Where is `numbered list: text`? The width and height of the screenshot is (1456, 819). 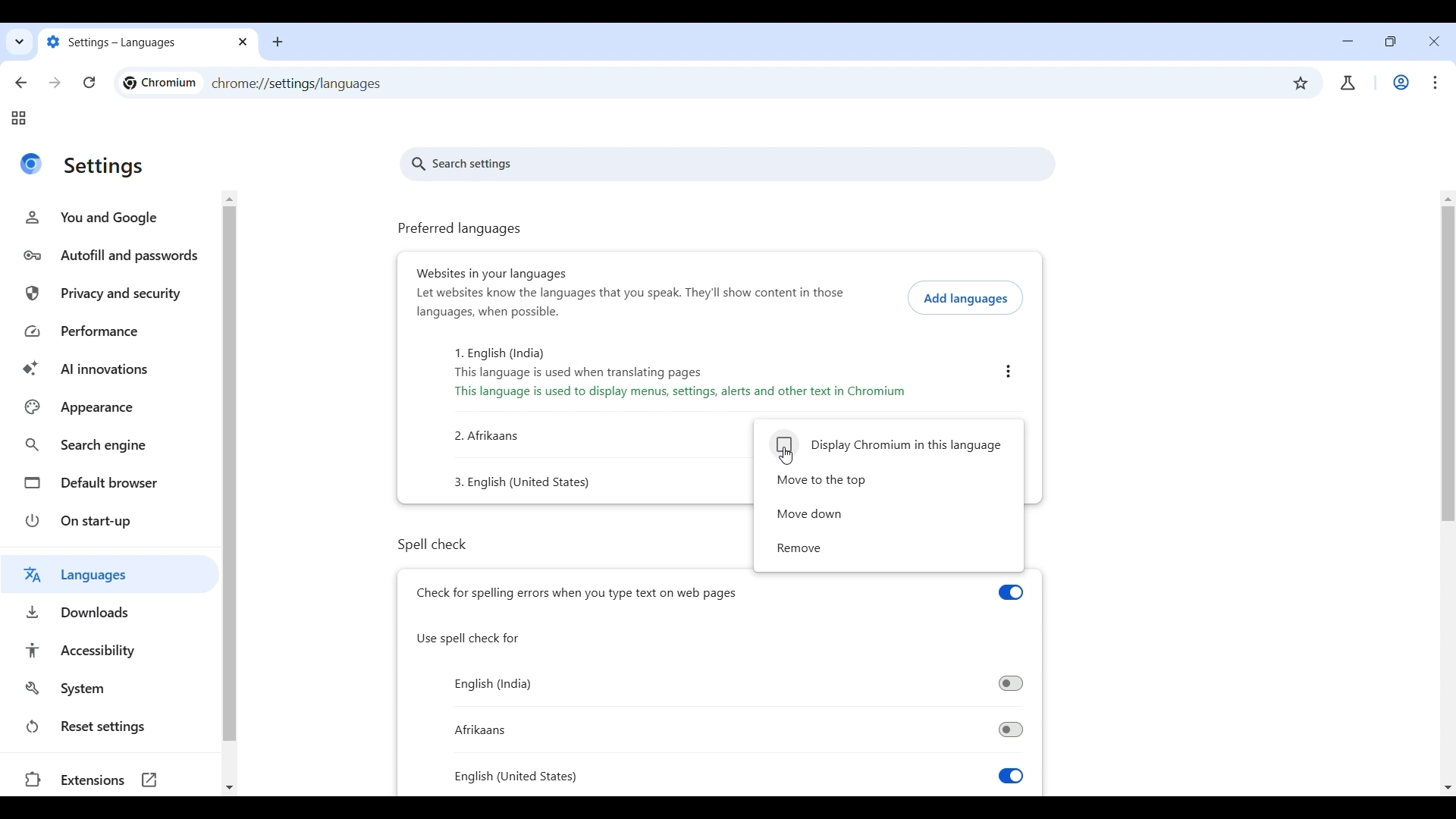
numbered list: text is located at coordinates (620, 373).